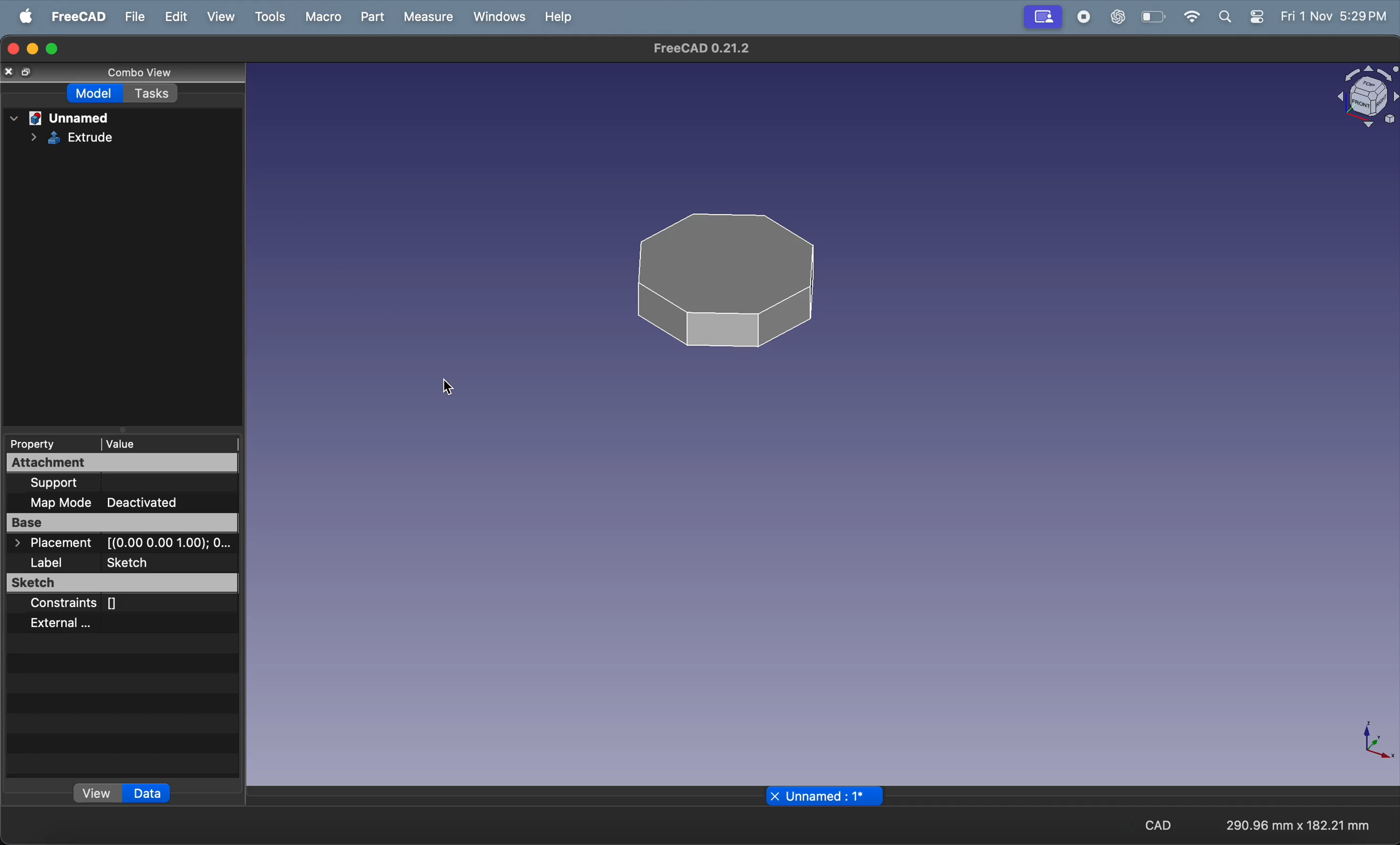 The width and height of the screenshot is (1400, 845). I want to click on cad, so click(1156, 824).